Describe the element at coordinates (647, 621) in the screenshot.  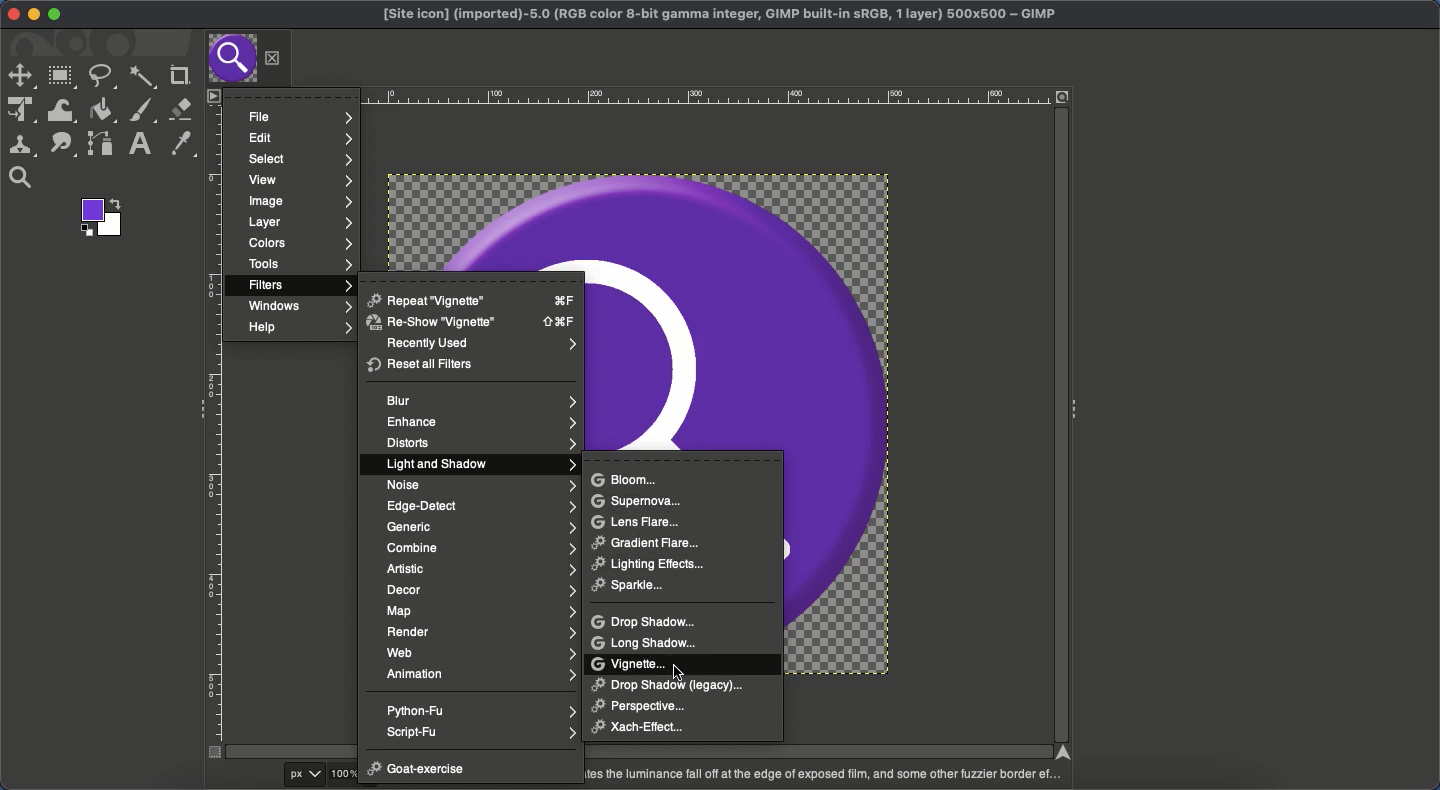
I see `Drop shadow` at that location.